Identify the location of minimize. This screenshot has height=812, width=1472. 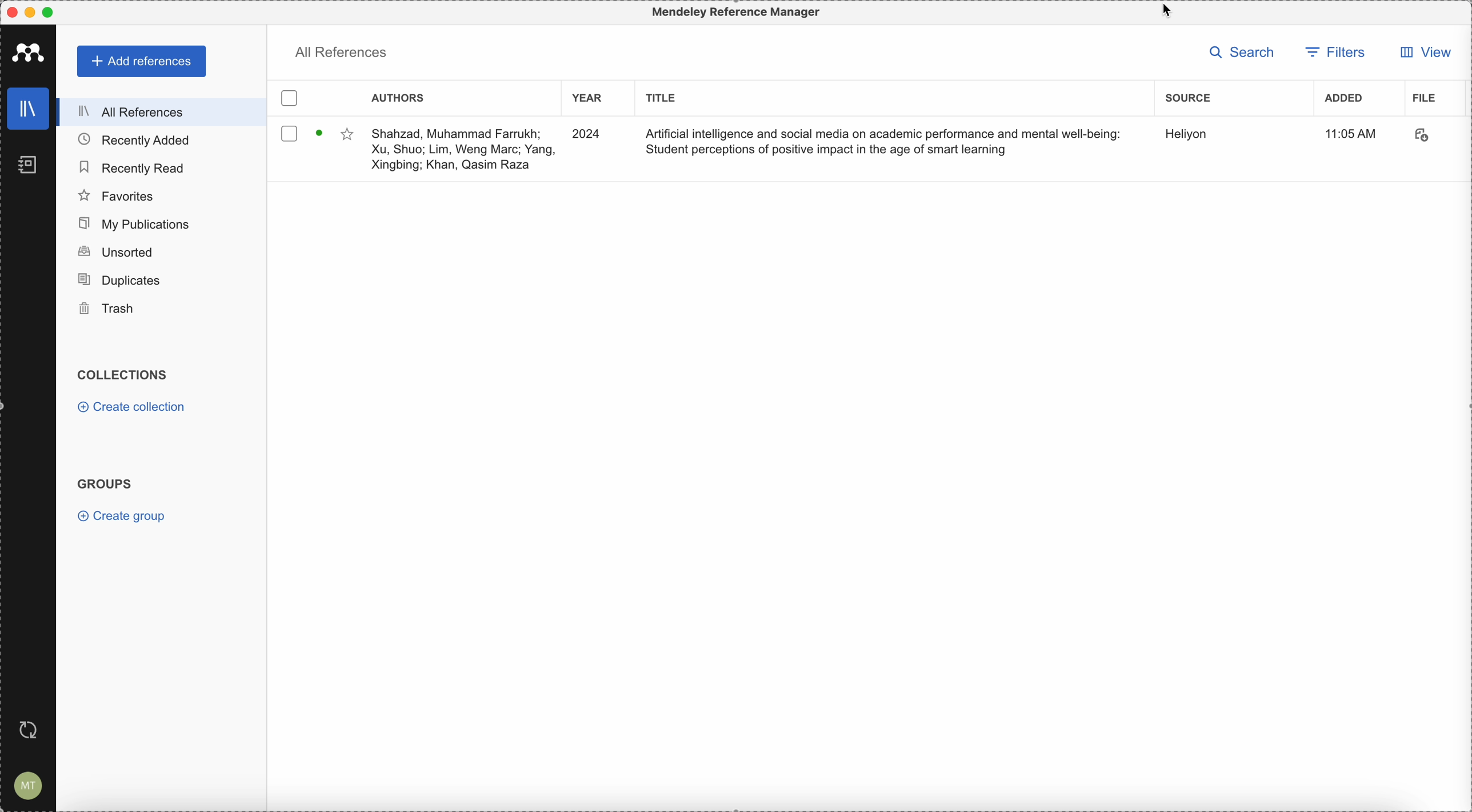
(33, 12).